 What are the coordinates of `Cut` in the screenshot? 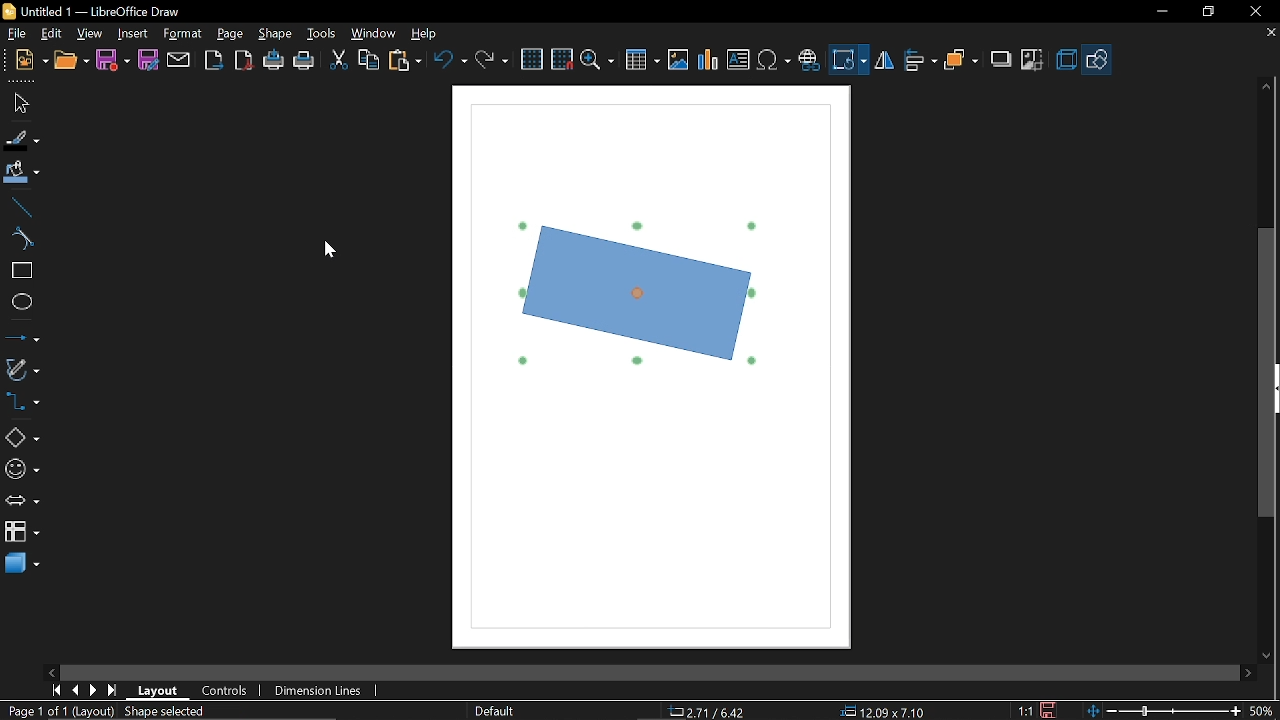 It's located at (338, 61).